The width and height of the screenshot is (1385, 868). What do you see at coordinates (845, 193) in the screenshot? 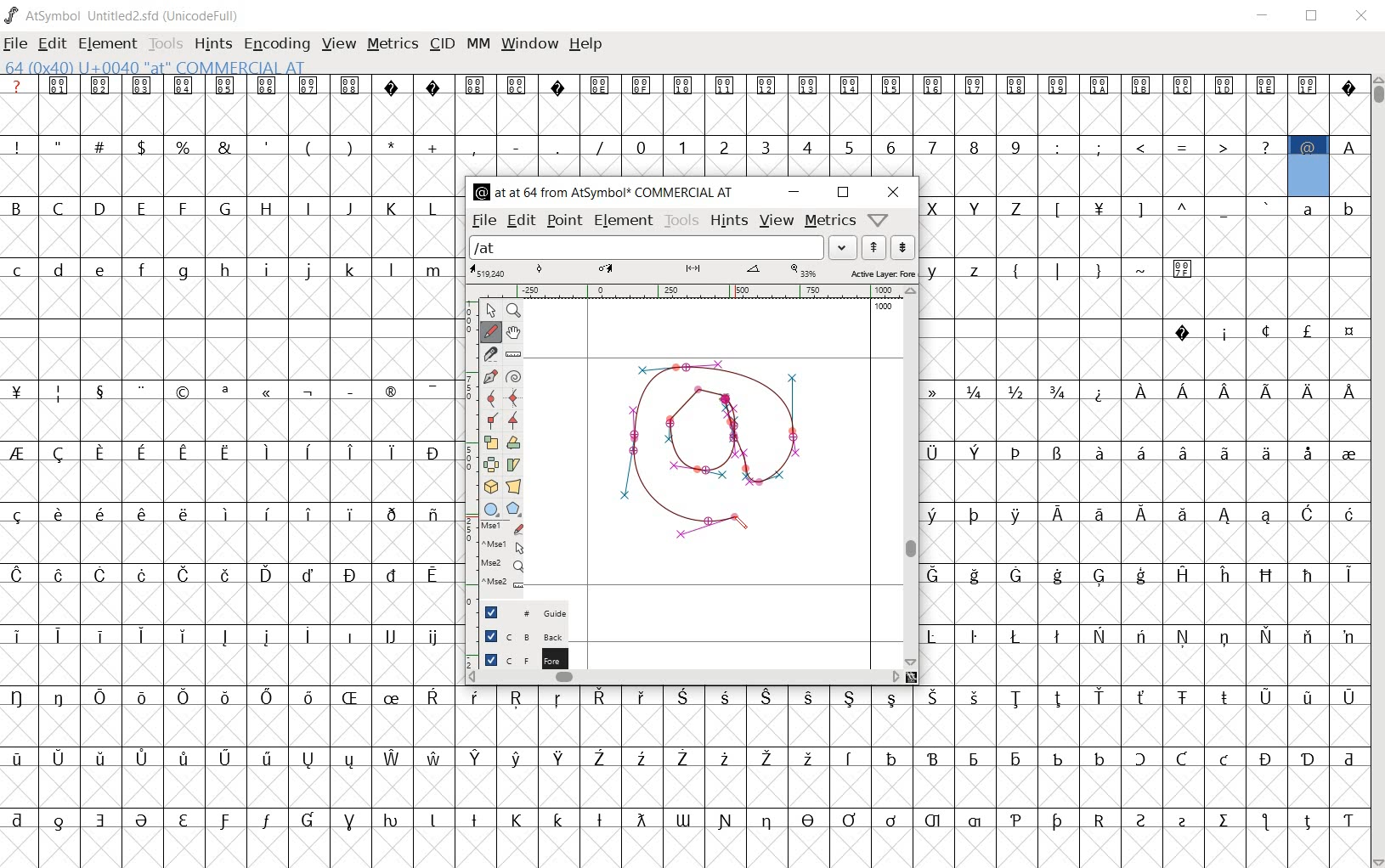
I see `restore down` at bounding box center [845, 193].